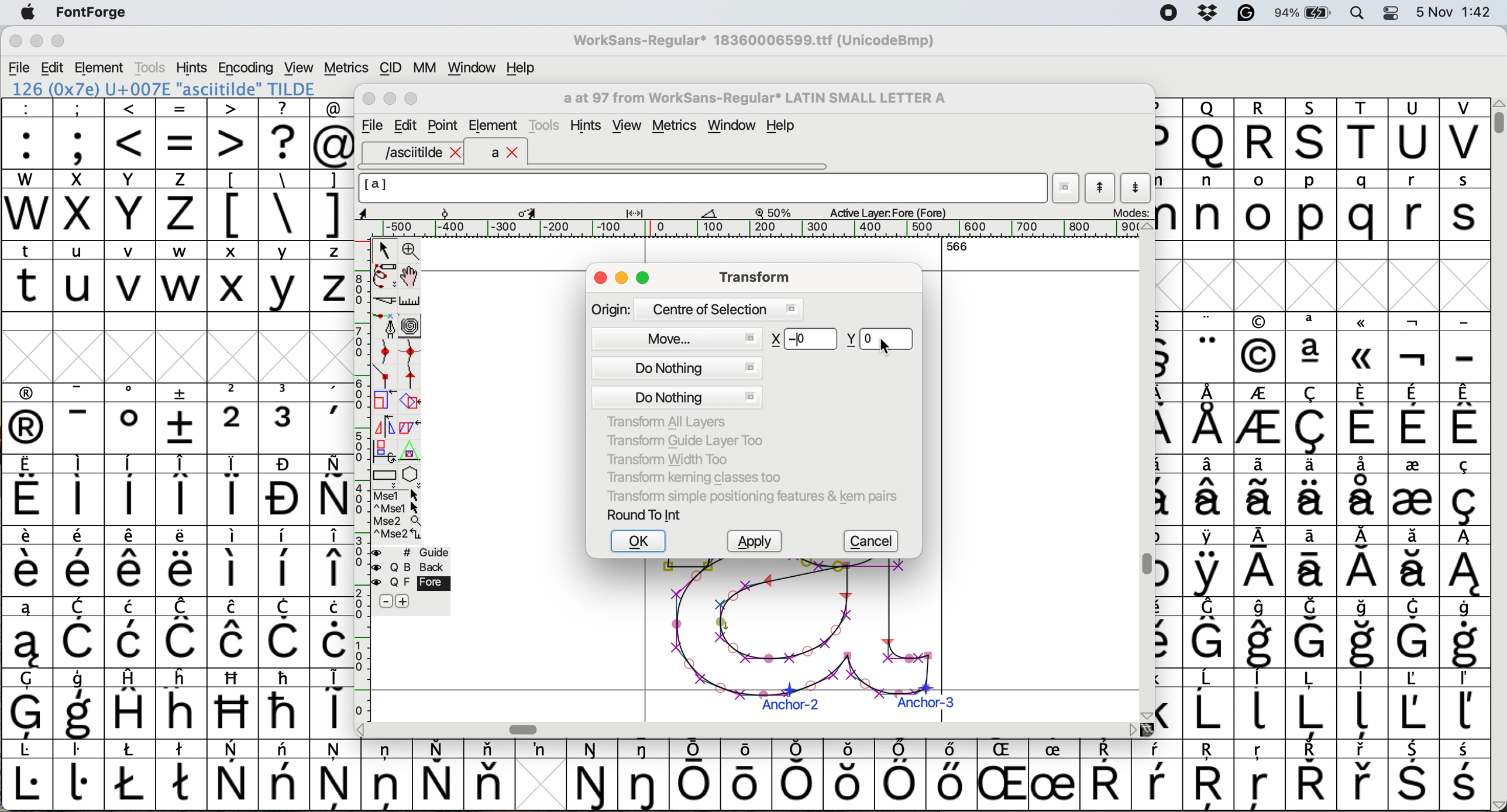  I want to click on v, so click(130, 278).